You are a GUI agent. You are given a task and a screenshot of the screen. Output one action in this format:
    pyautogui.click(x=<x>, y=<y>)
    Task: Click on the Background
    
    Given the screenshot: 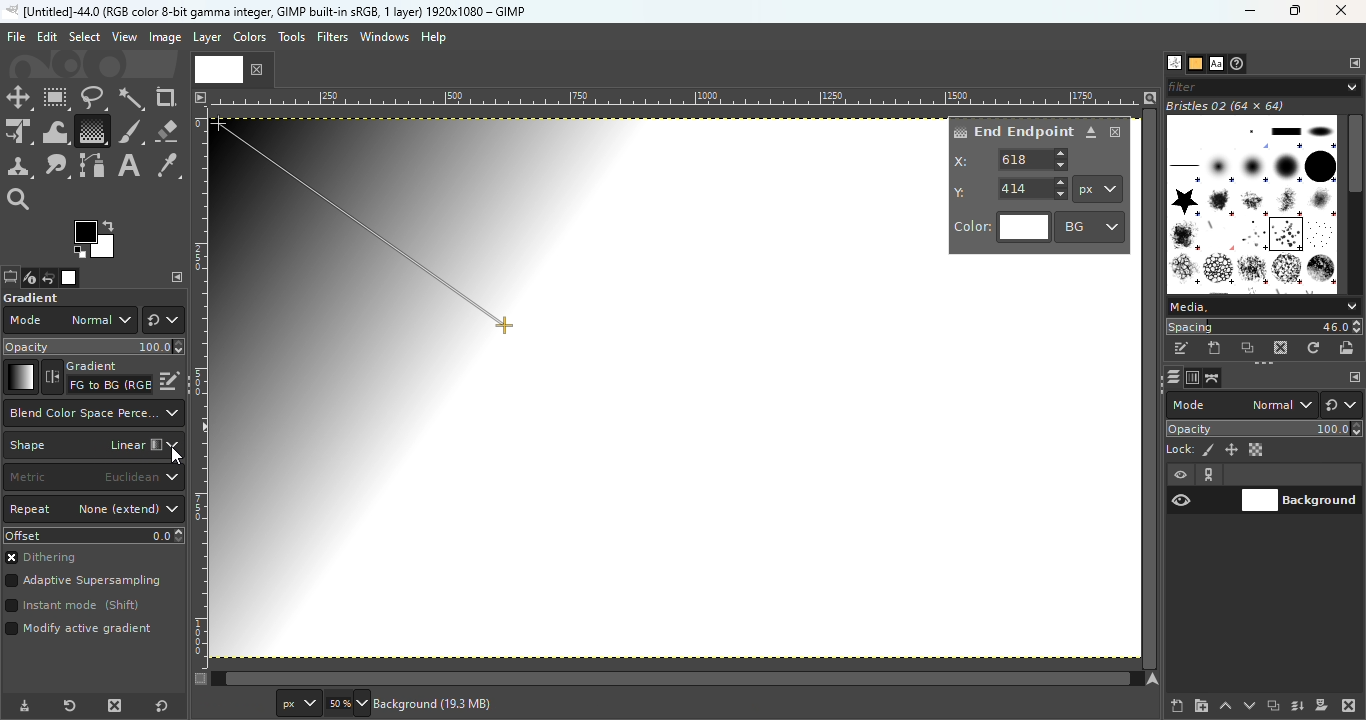 What is the action you would take?
    pyautogui.click(x=1300, y=498)
    